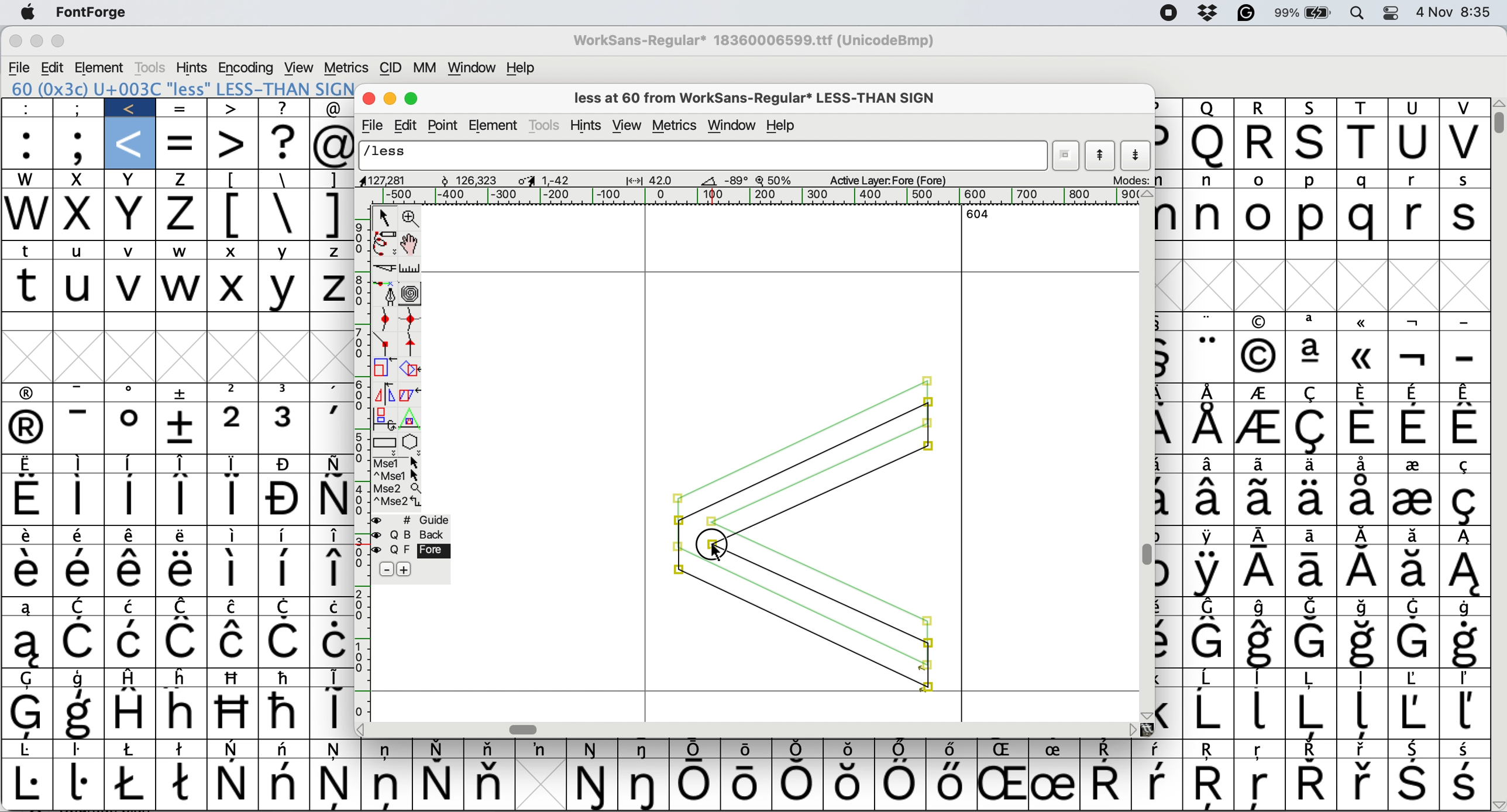 The image size is (1507, 812). What do you see at coordinates (1465, 679) in the screenshot?
I see `Symbol` at bounding box center [1465, 679].